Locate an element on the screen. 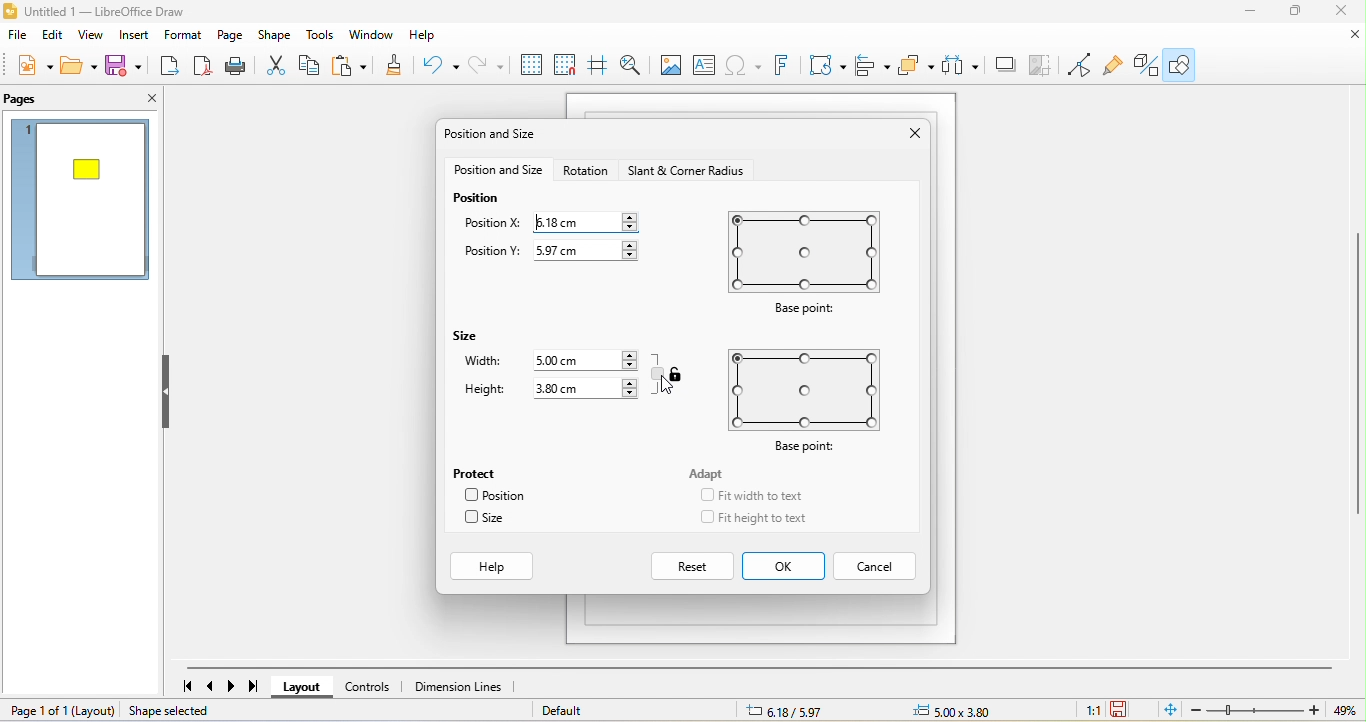 This screenshot has width=1366, height=722. fit width to text is located at coordinates (753, 495).